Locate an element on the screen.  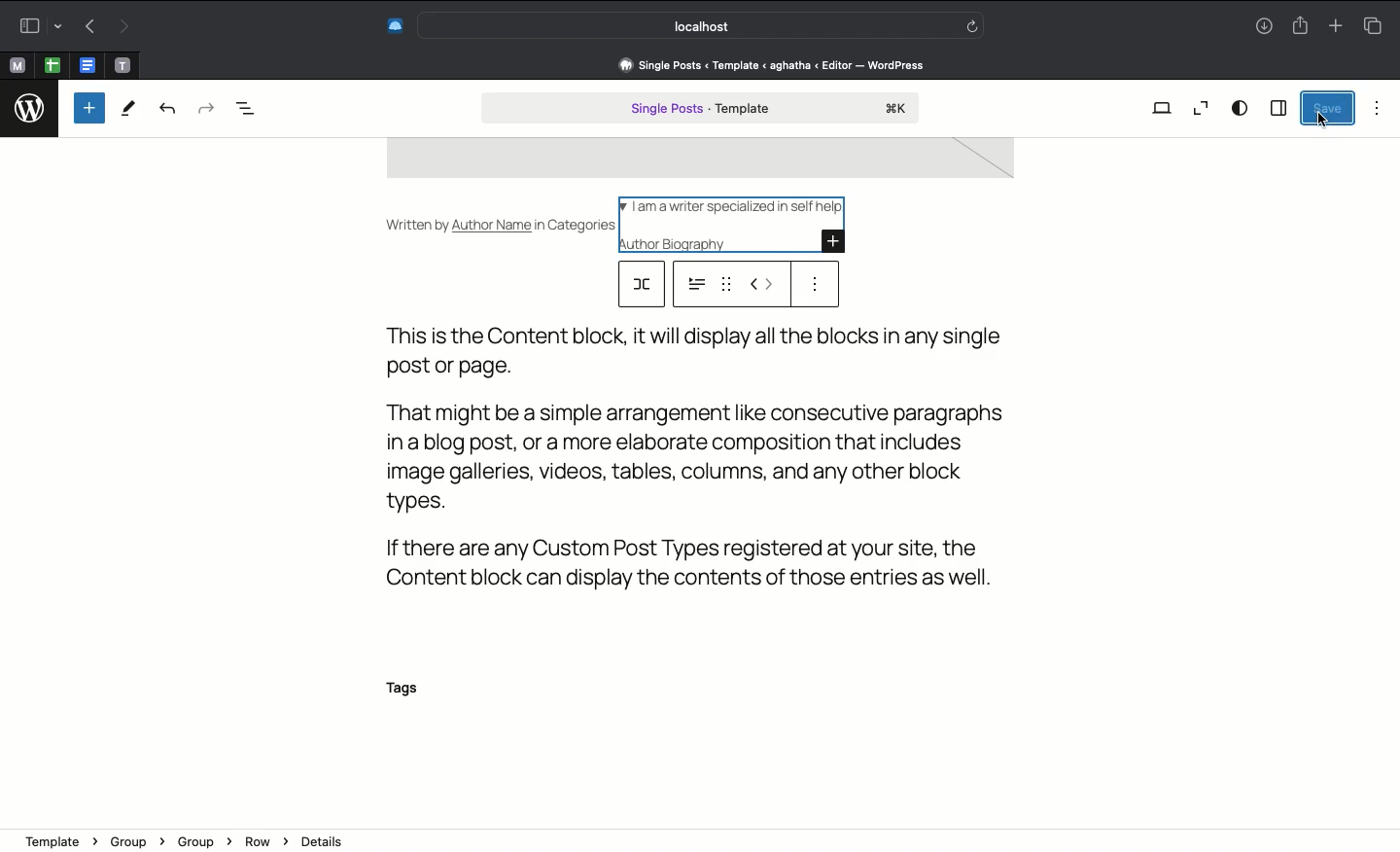
Row is located at coordinates (264, 841).